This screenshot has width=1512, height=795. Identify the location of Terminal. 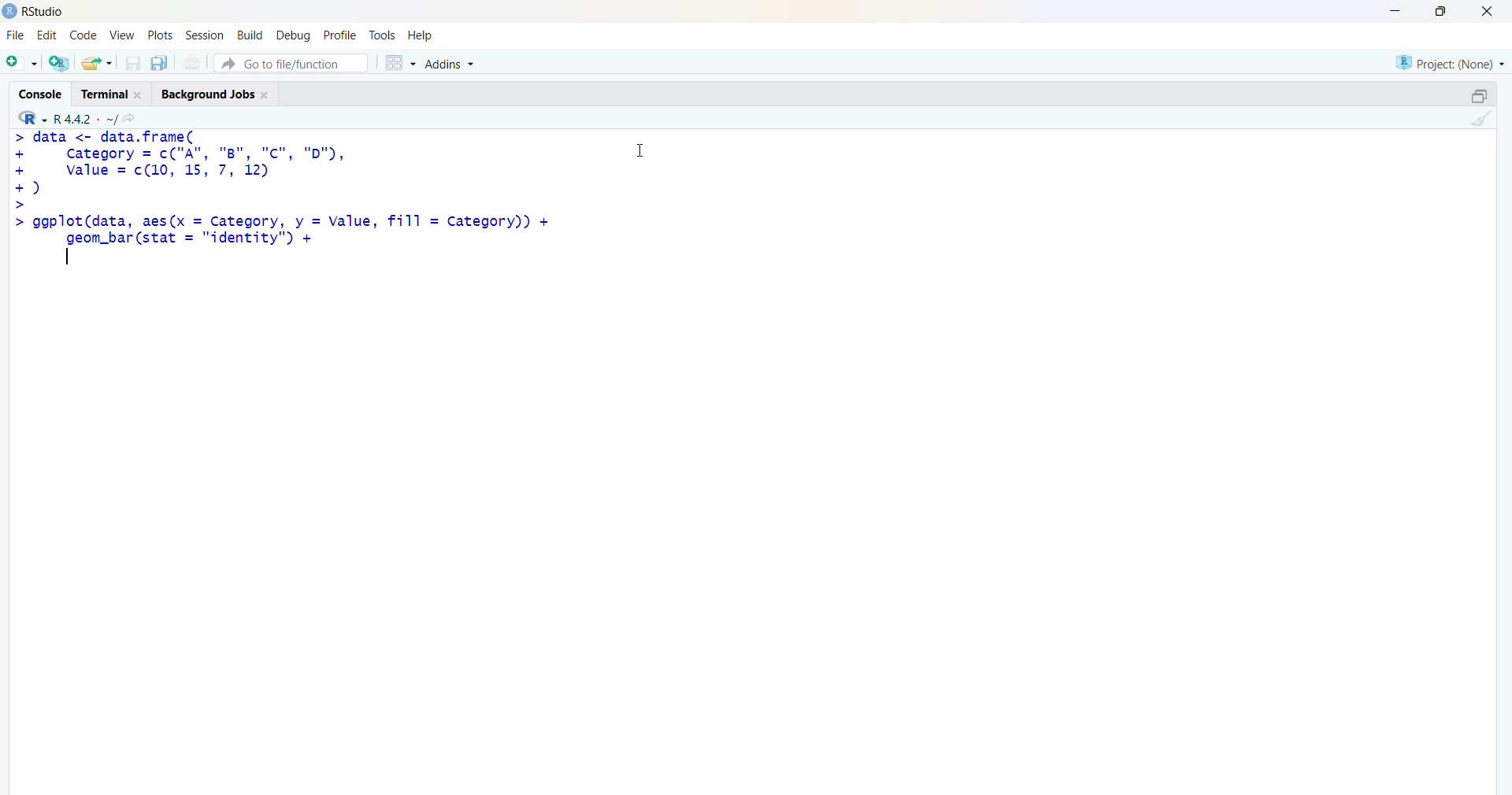
(109, 92).